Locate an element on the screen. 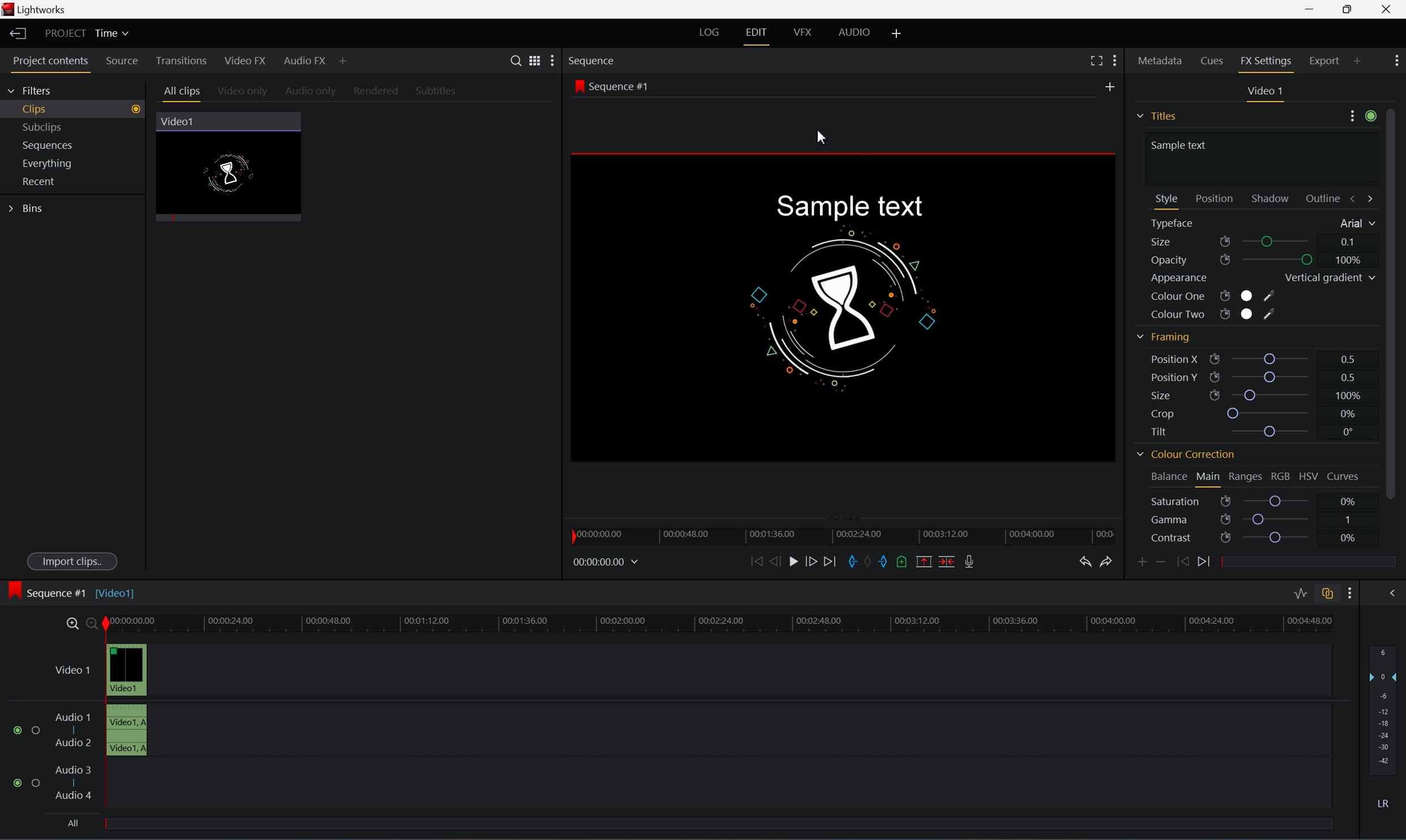 The image size is (1406, 840). scroll bar is located at coordinates (1397, 302).